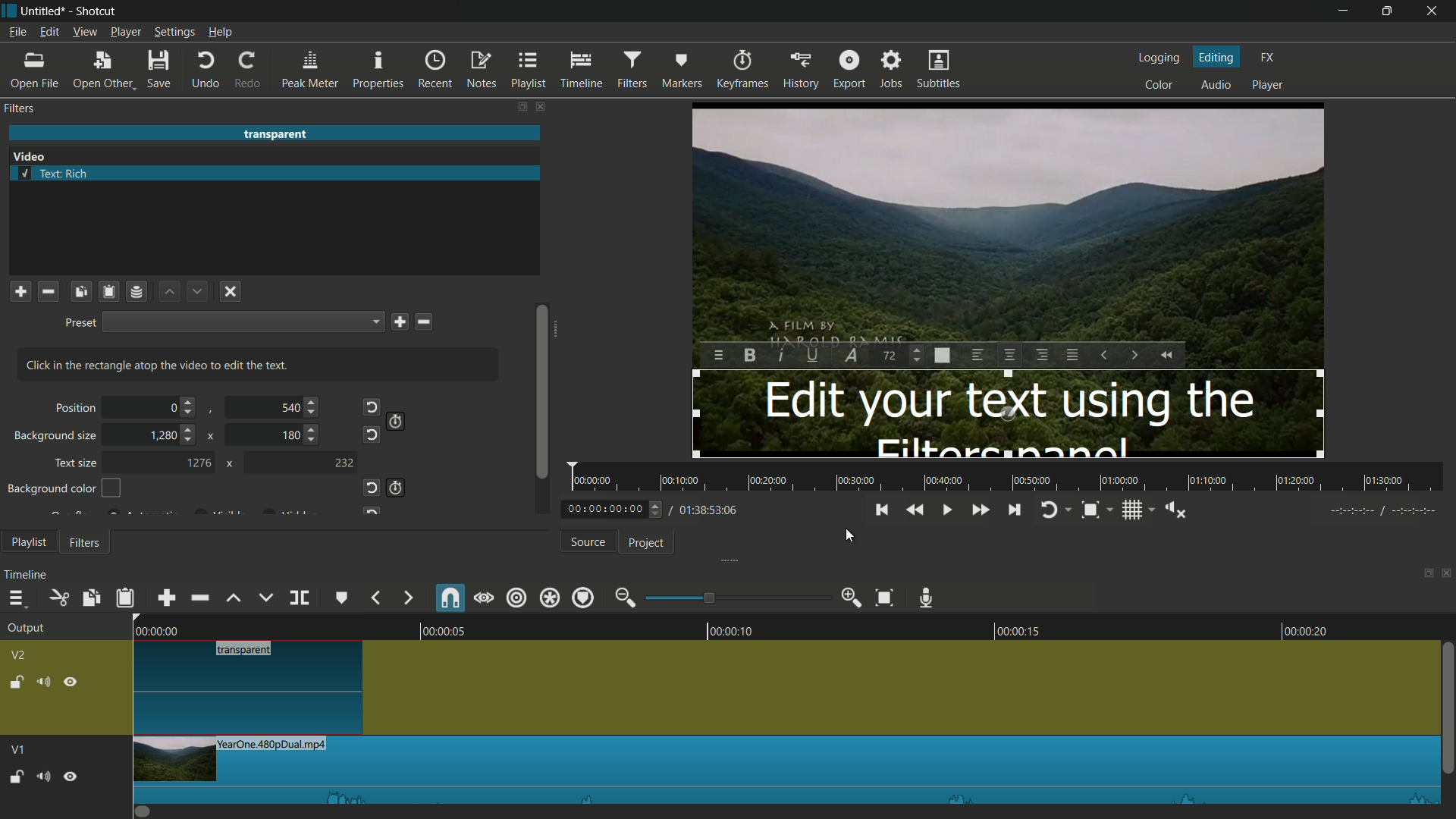 The image size is (1456, 819). Describe the element at coordinates (425, 322) in the screenshot. I see `delete` at that location.